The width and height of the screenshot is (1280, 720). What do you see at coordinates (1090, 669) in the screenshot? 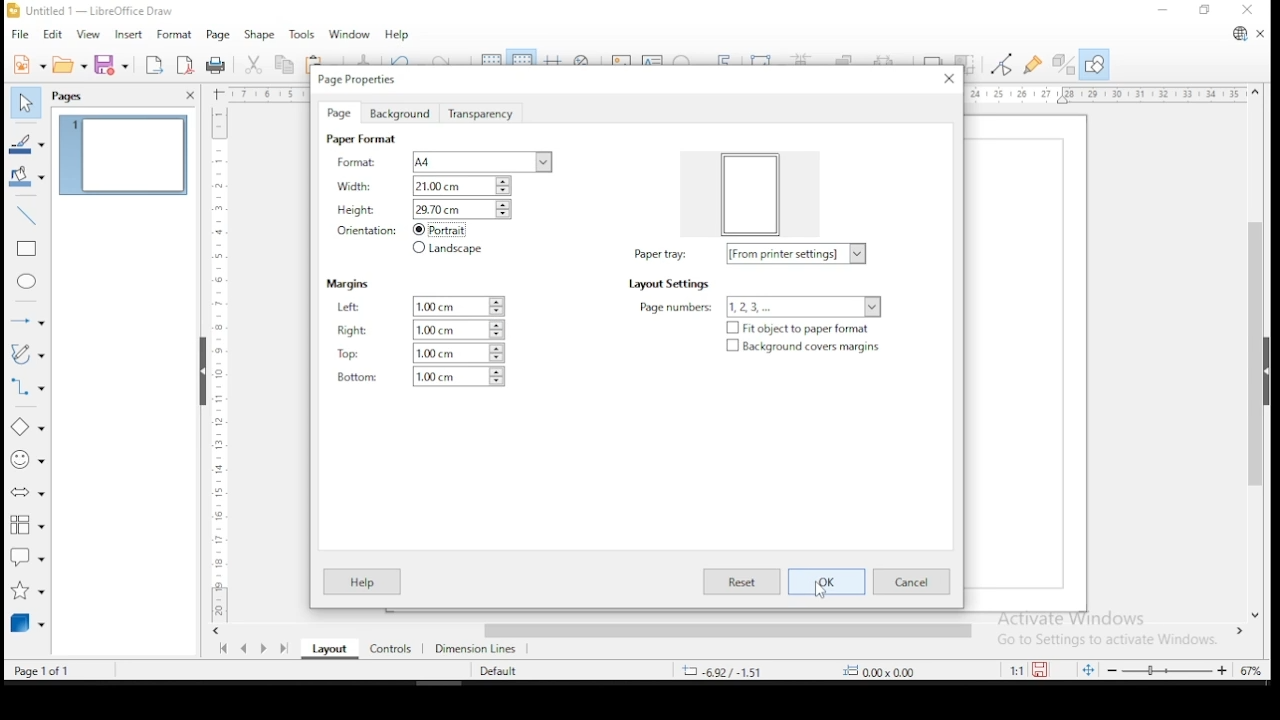
I see `fit document to window` at bounding box center [1090, 669].